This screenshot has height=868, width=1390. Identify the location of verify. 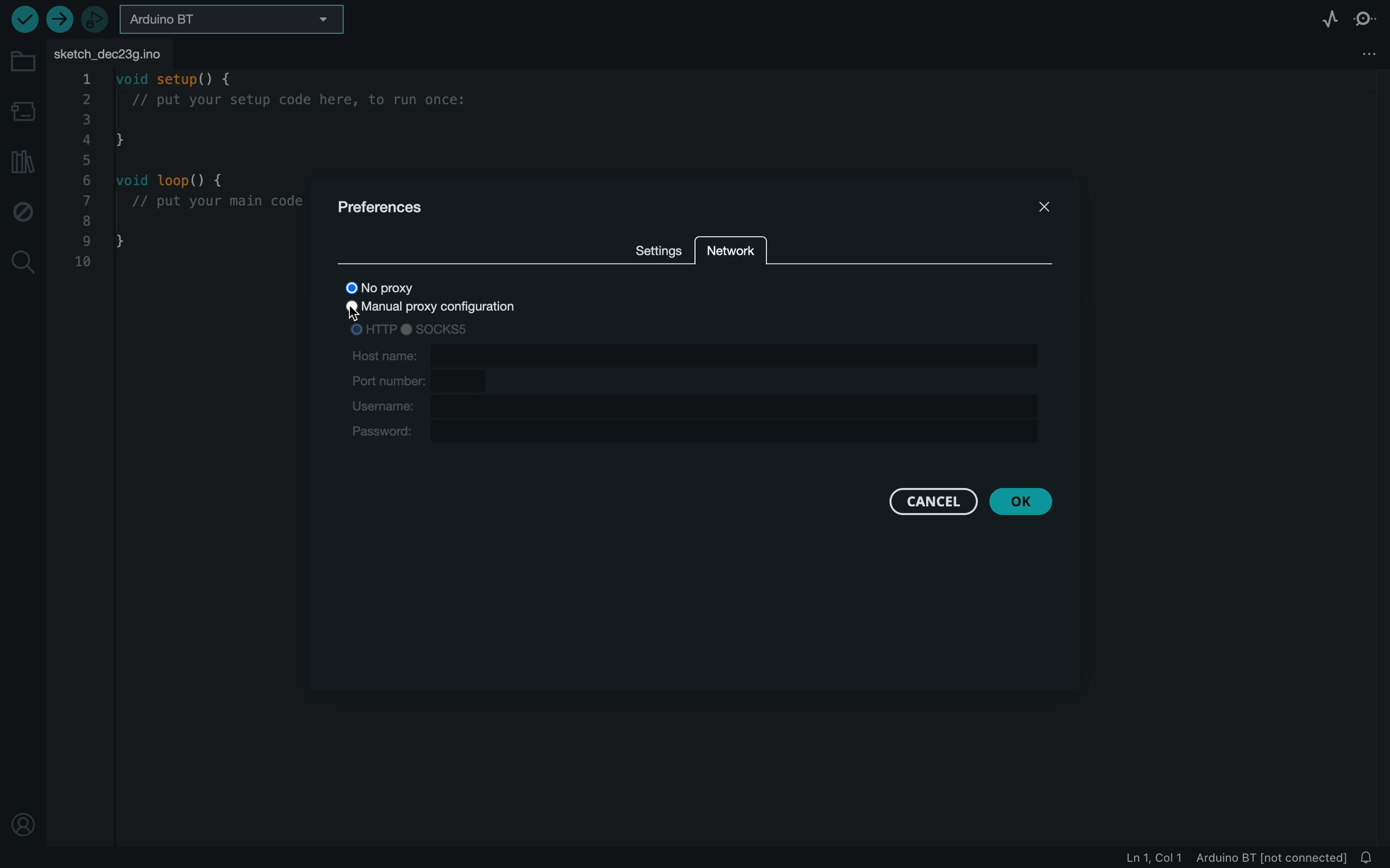
(22, 20).